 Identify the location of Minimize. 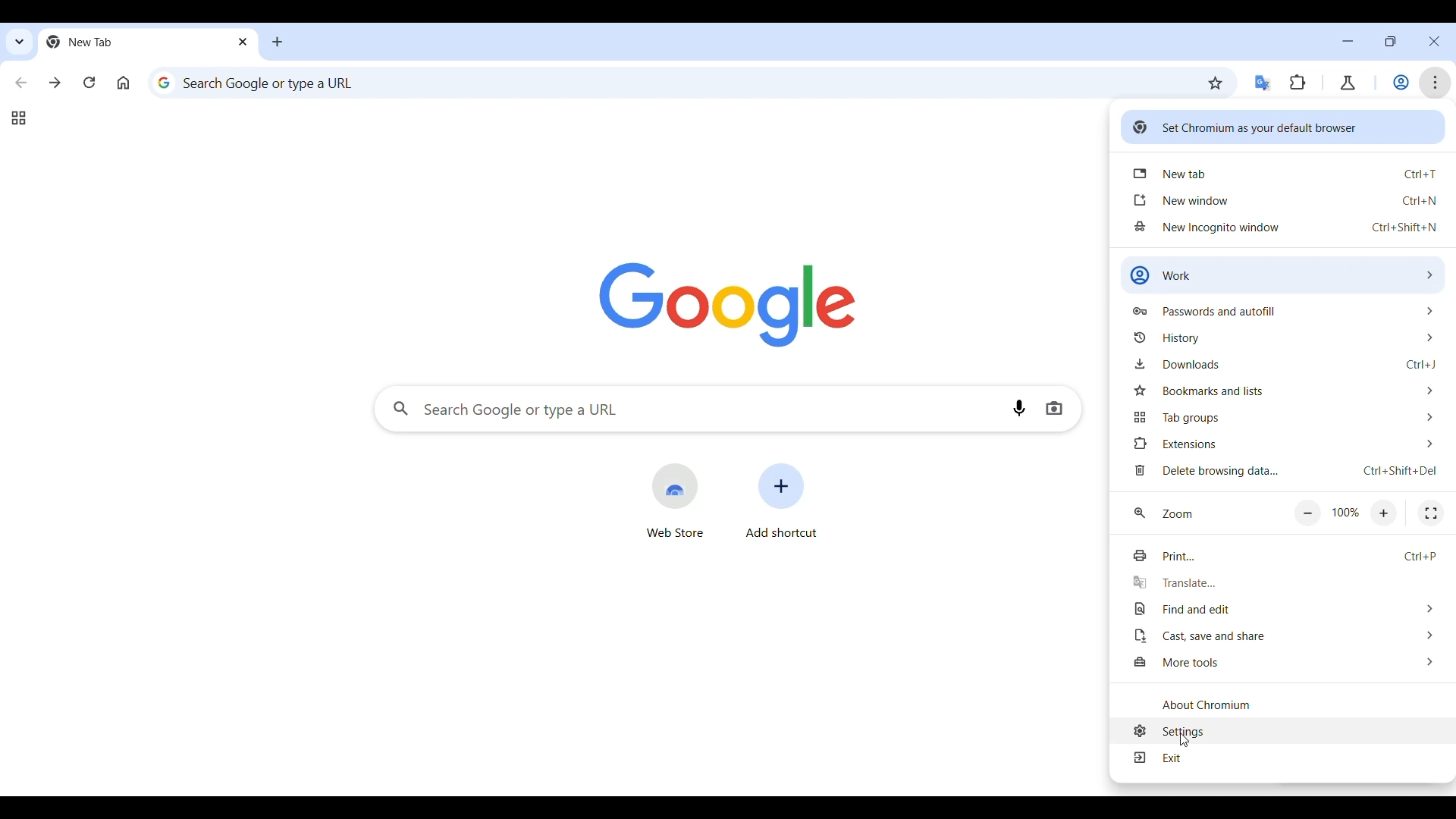
(1348, 41).